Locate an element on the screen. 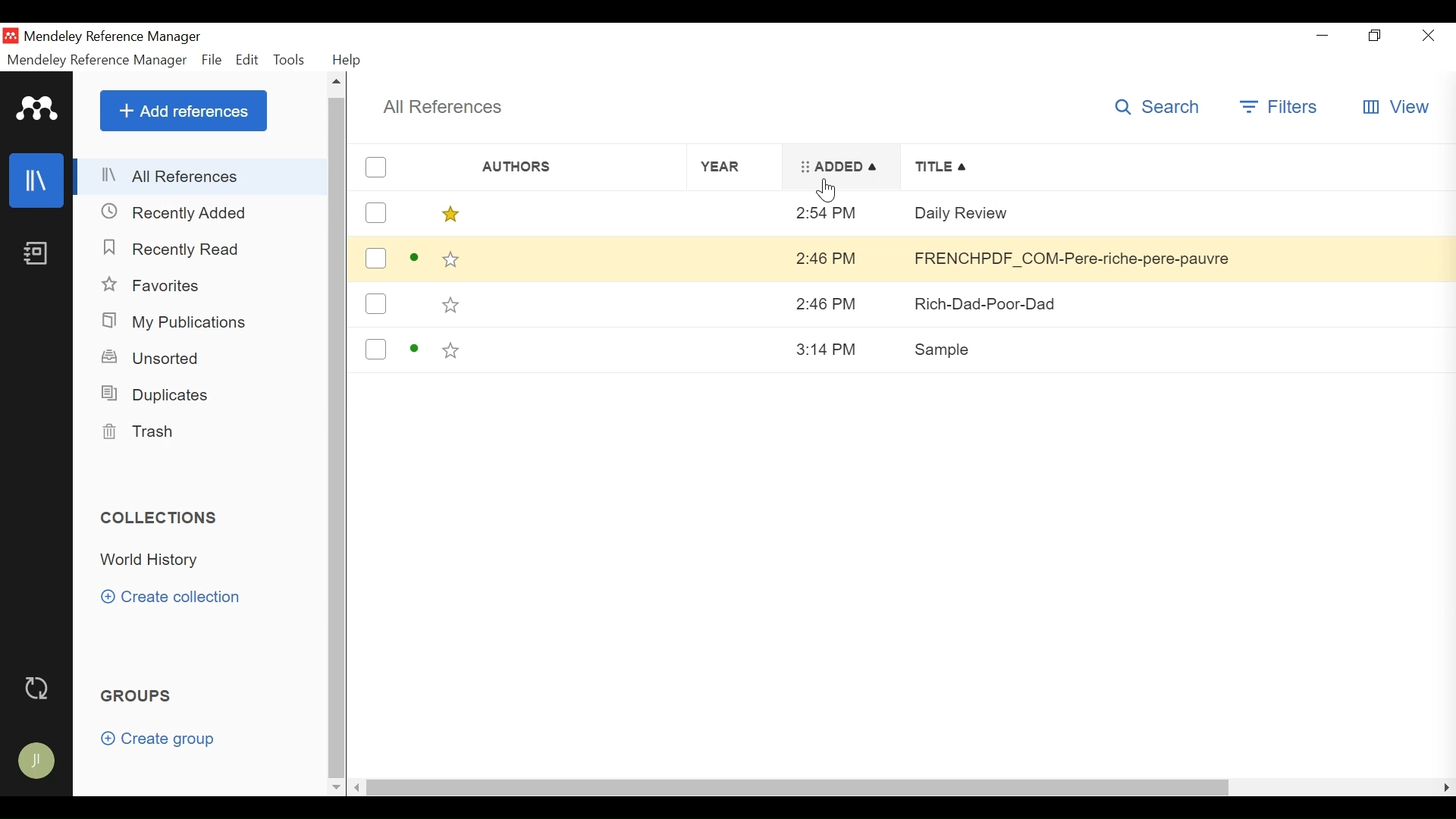 This screenshot has width=1456, height=819. (un)select is located at coordinates (375, 350).